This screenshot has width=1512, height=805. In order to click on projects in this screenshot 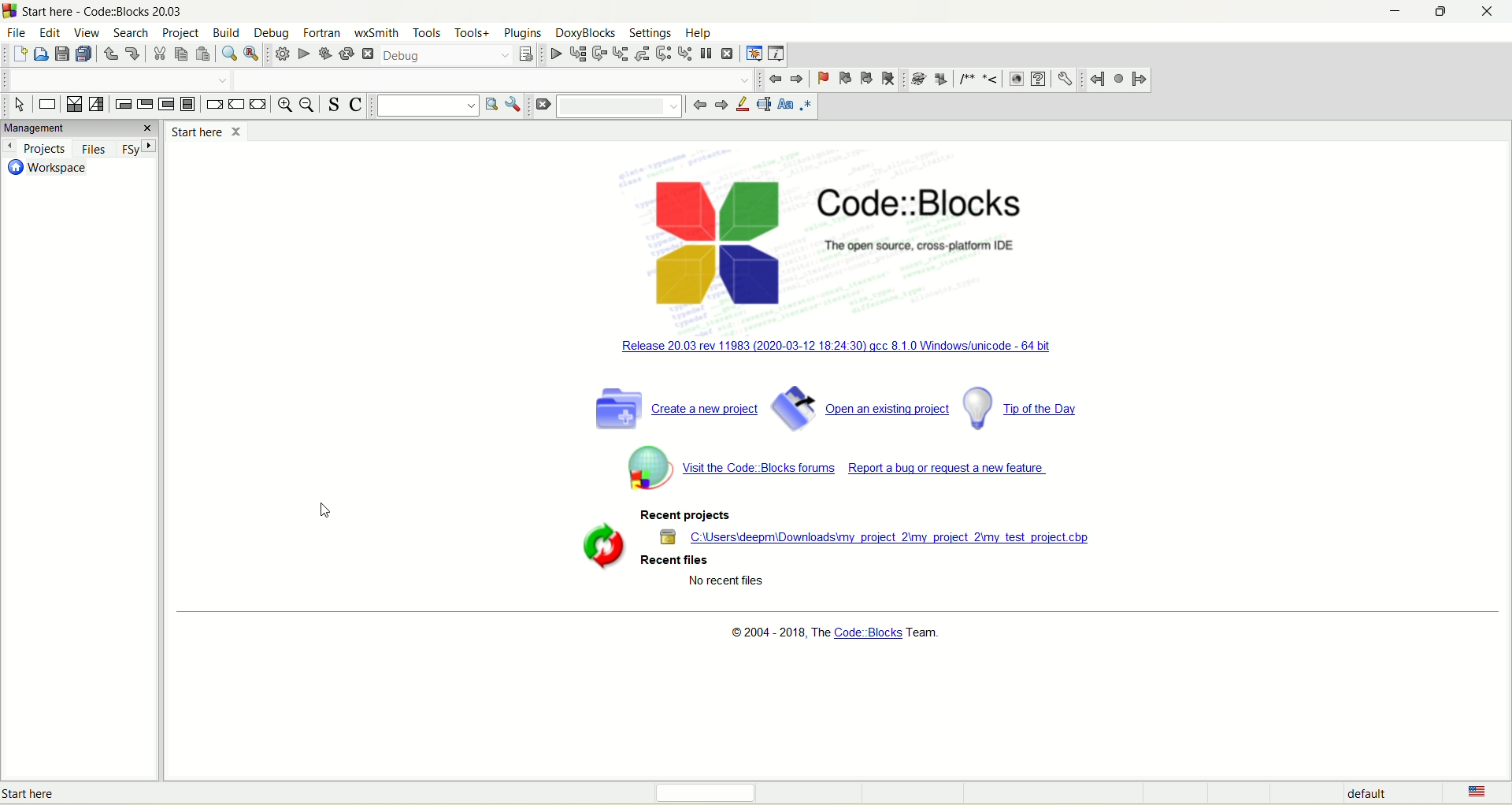, I will do `click(39, 148)`.